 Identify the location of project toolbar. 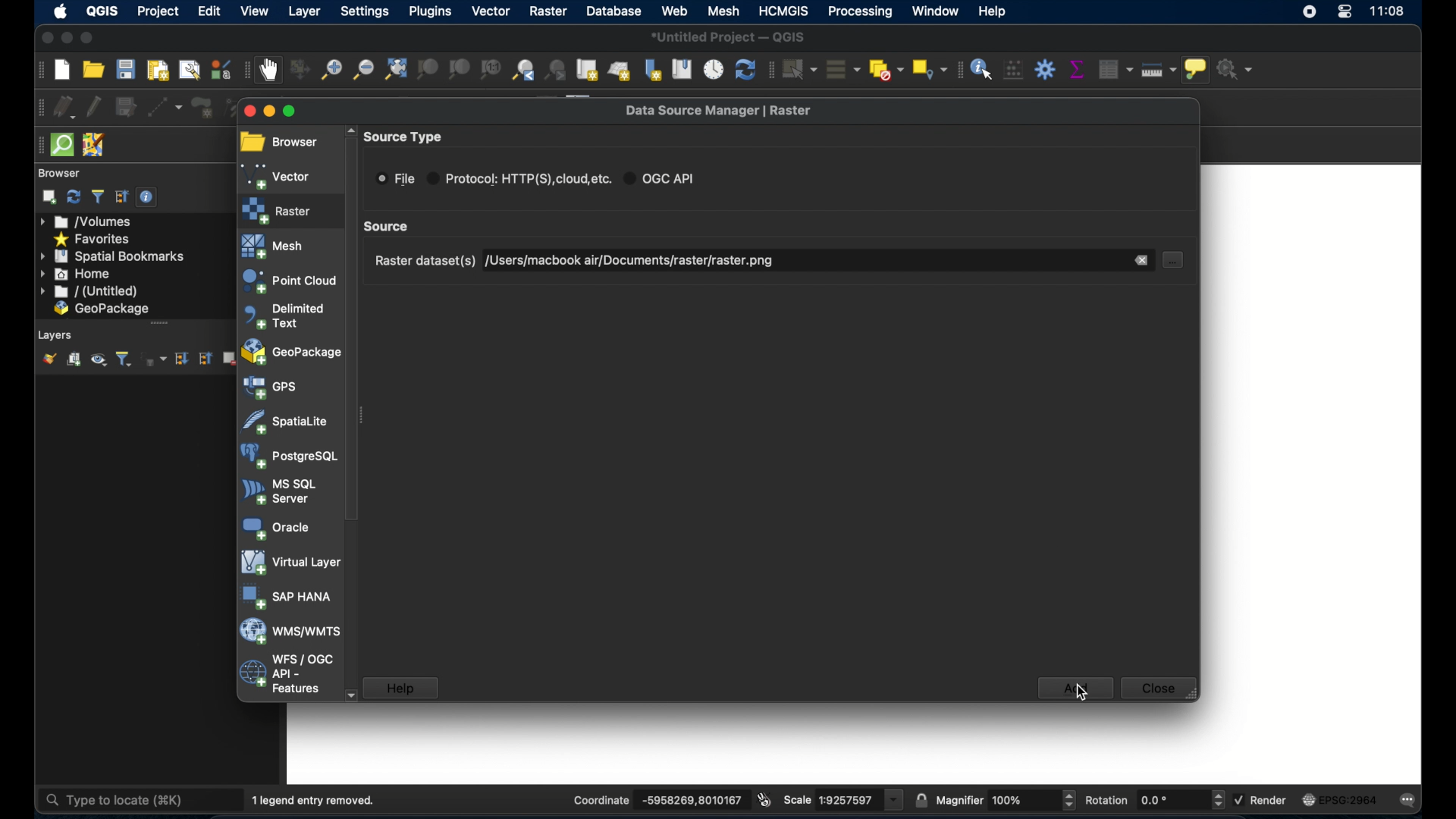
(37, 70).